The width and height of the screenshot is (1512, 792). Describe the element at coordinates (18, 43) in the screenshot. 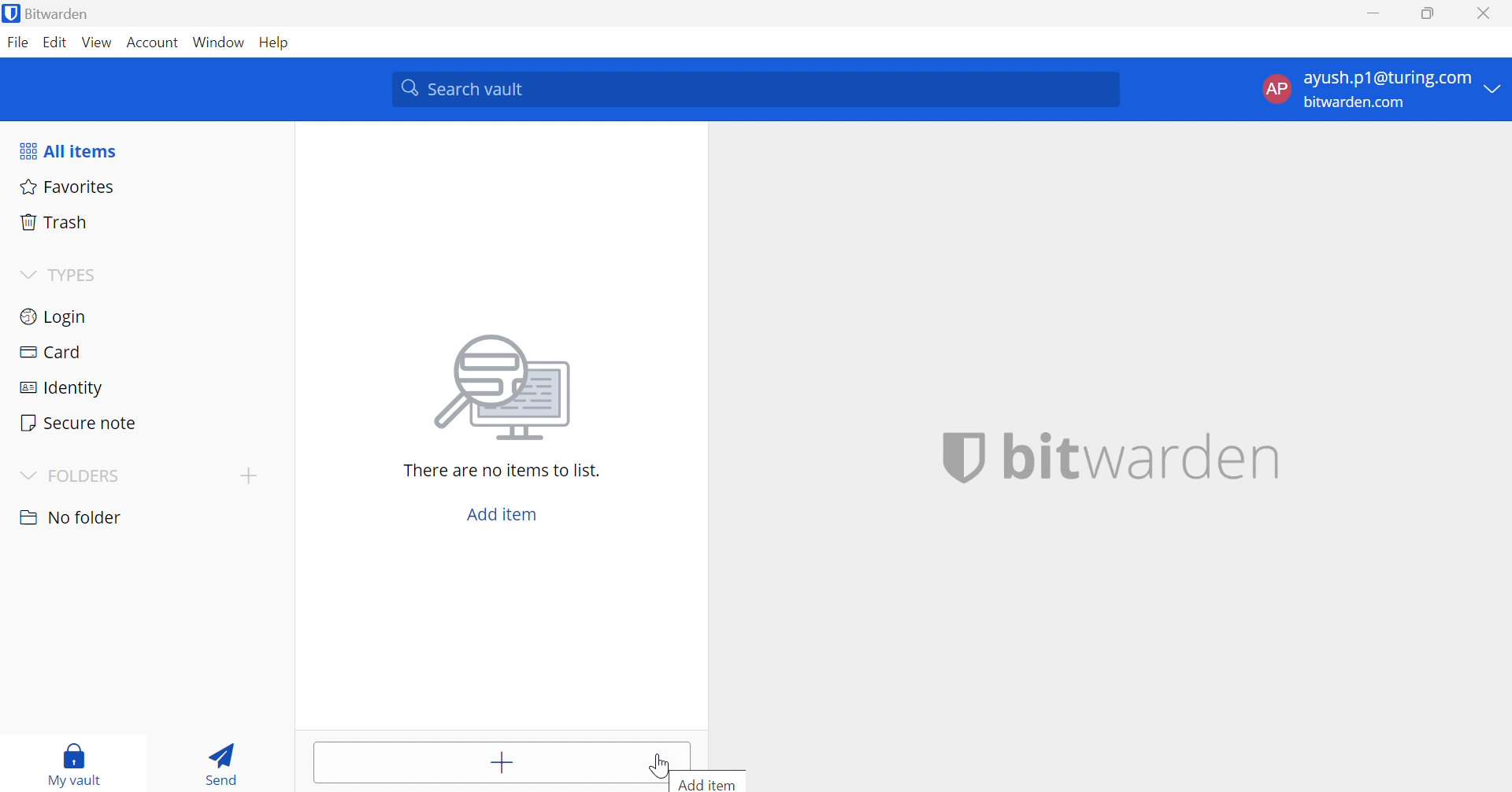

I see `File` at that location.